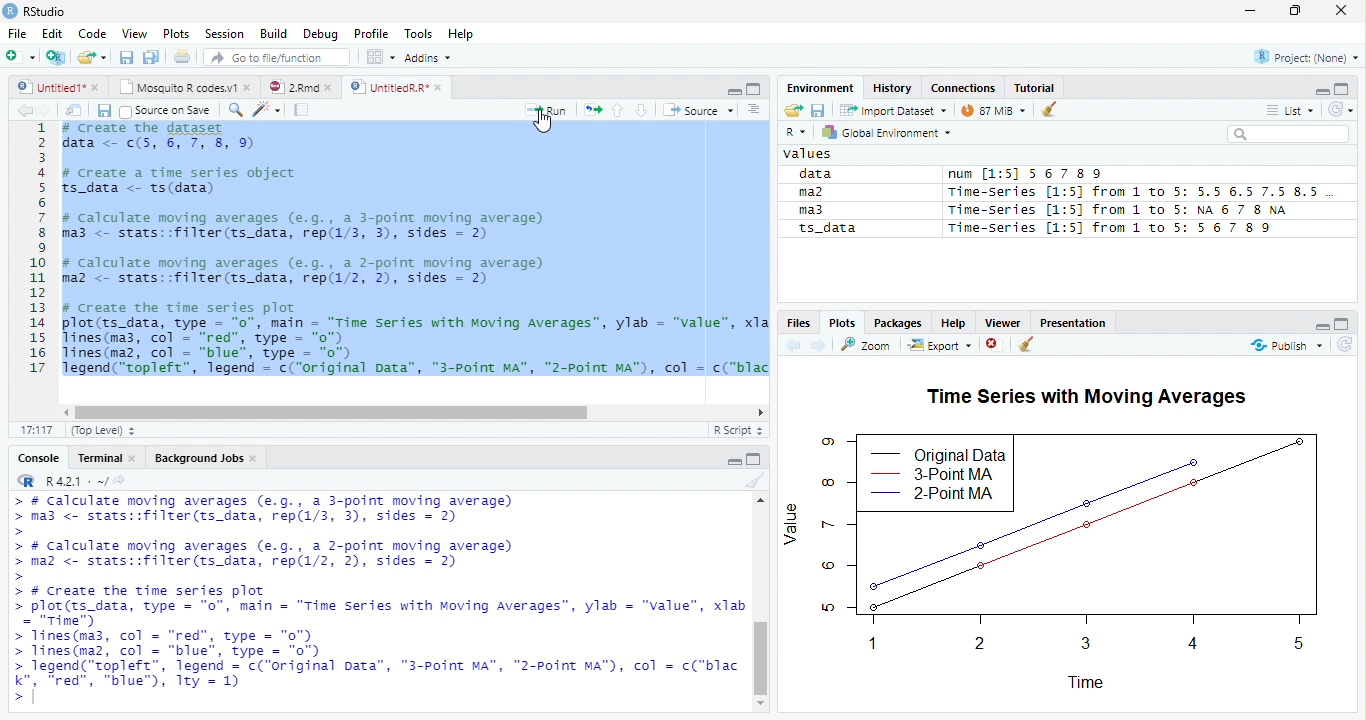  I want to click on Mosquito R codes.v1, so click(180, 86).